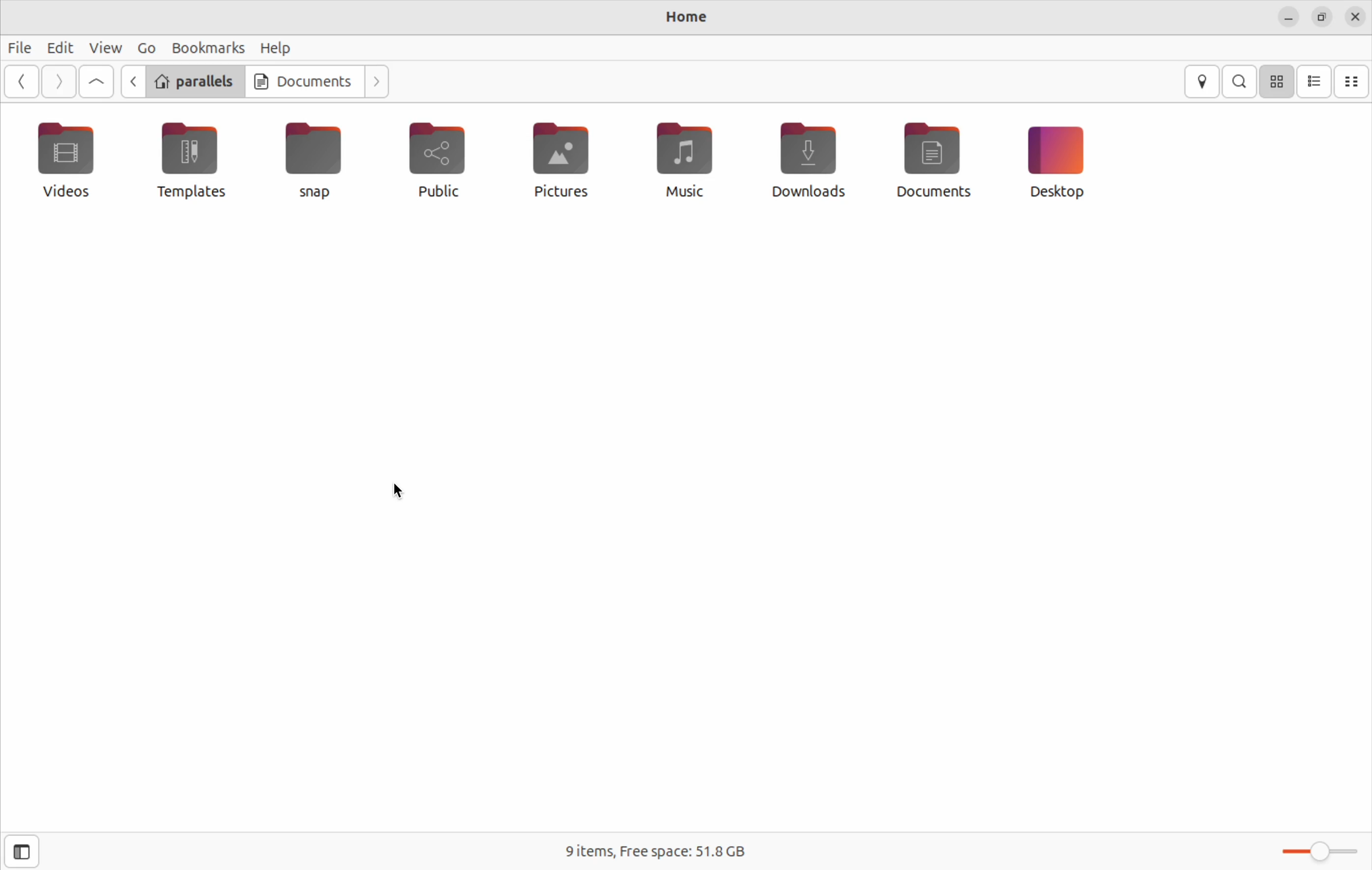 Image resolution: width=1372 pixels, height=870 pixels. What do you see at coordinates (656, 850) in the screenshot?
I see ` free space ` at bounding box center [656, 850].